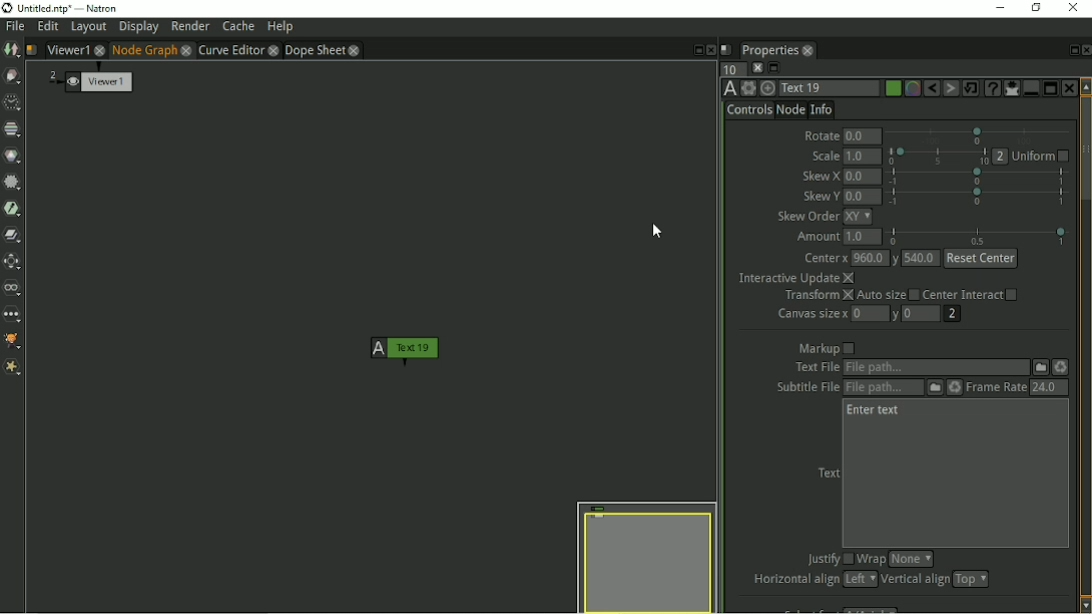  What do you see at coordinates (1049, 388) in the screenshot?
I see `24` at bounding box center [1049, 388].